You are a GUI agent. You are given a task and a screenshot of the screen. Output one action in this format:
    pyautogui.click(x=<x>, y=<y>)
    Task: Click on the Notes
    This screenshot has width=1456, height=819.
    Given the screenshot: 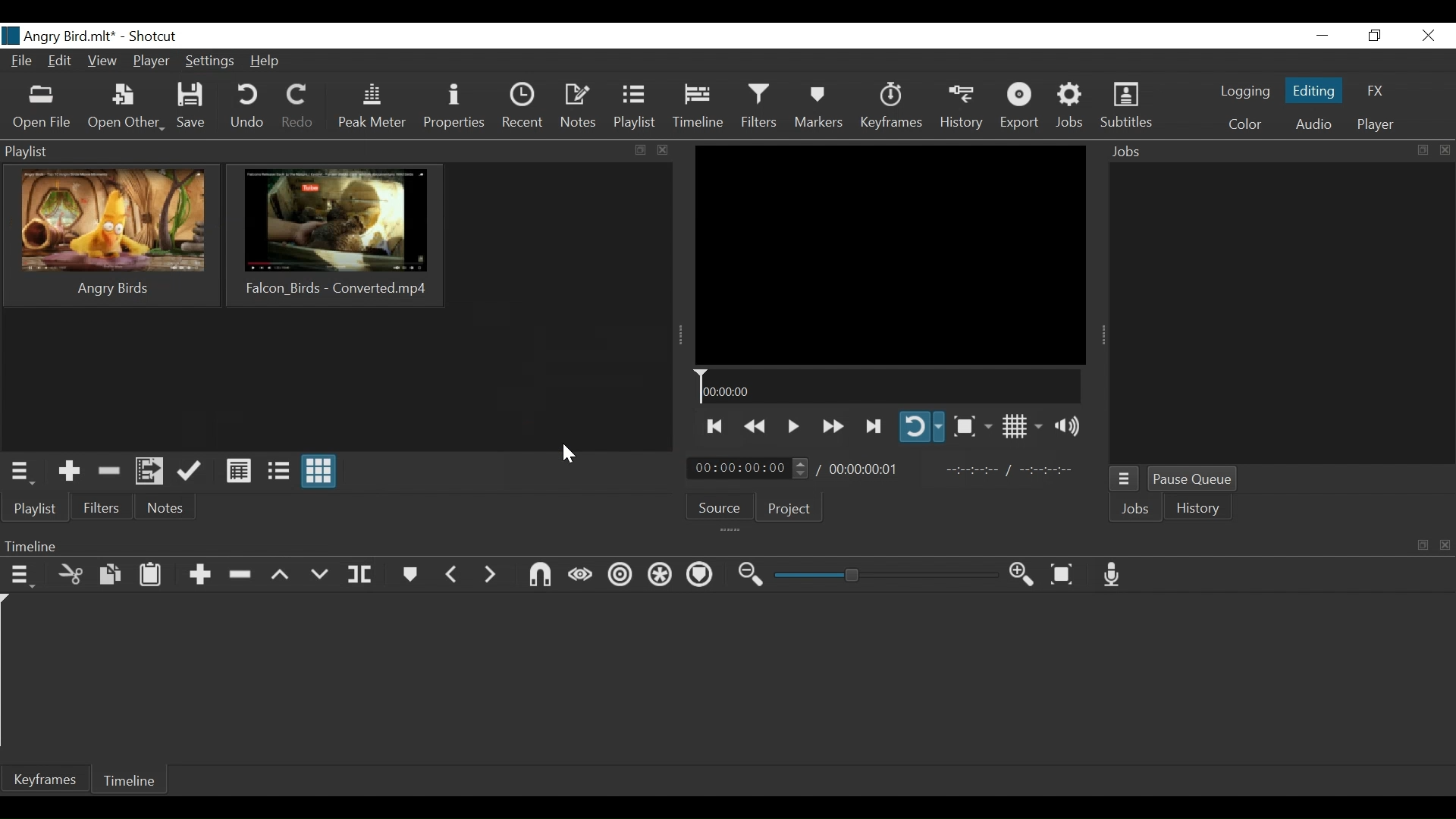 What is the action you would take?
    pyautogui.click(x=577, y=108)
    